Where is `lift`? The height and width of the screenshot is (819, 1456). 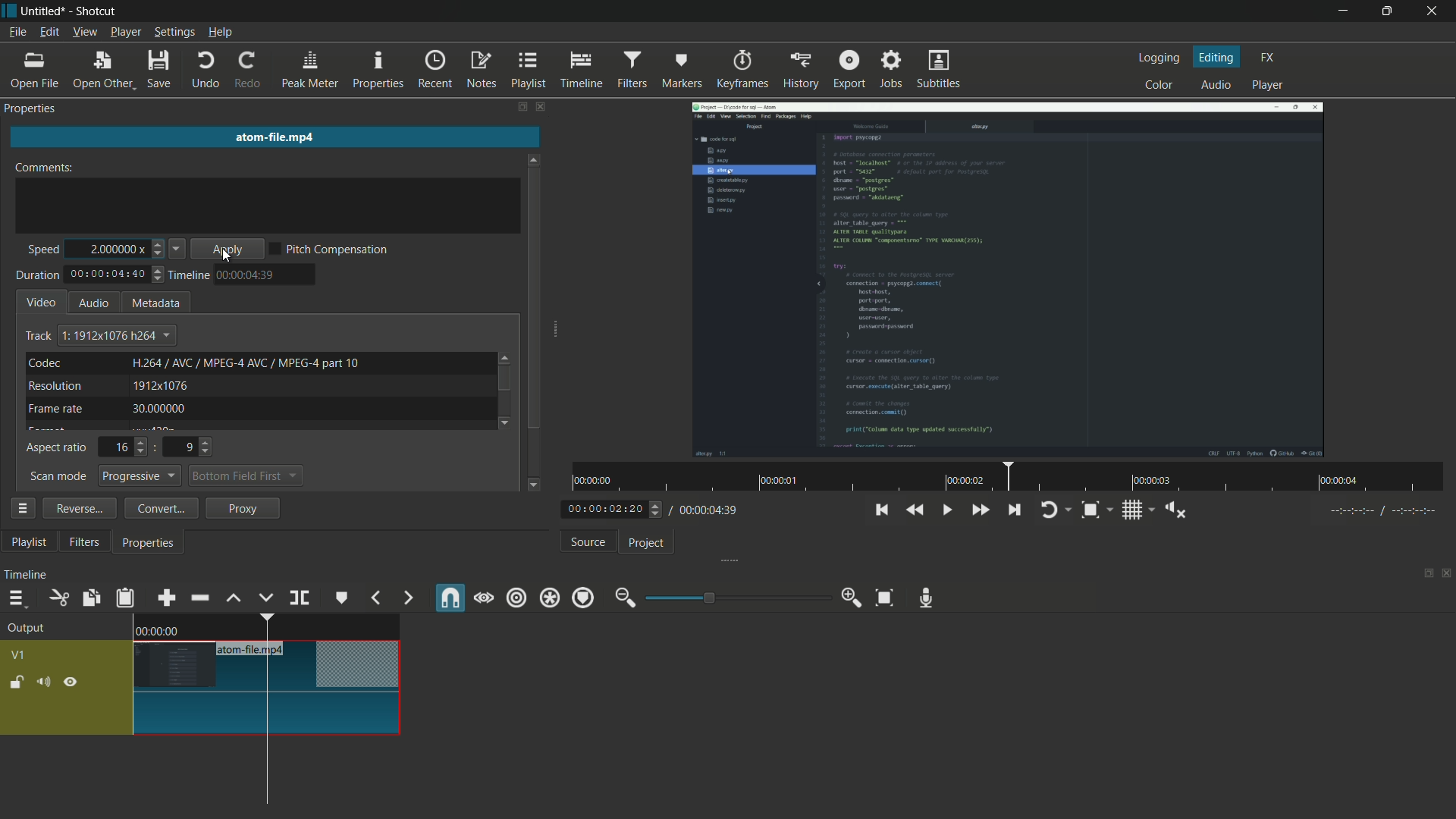 lift is located at coordinates (236, 599).